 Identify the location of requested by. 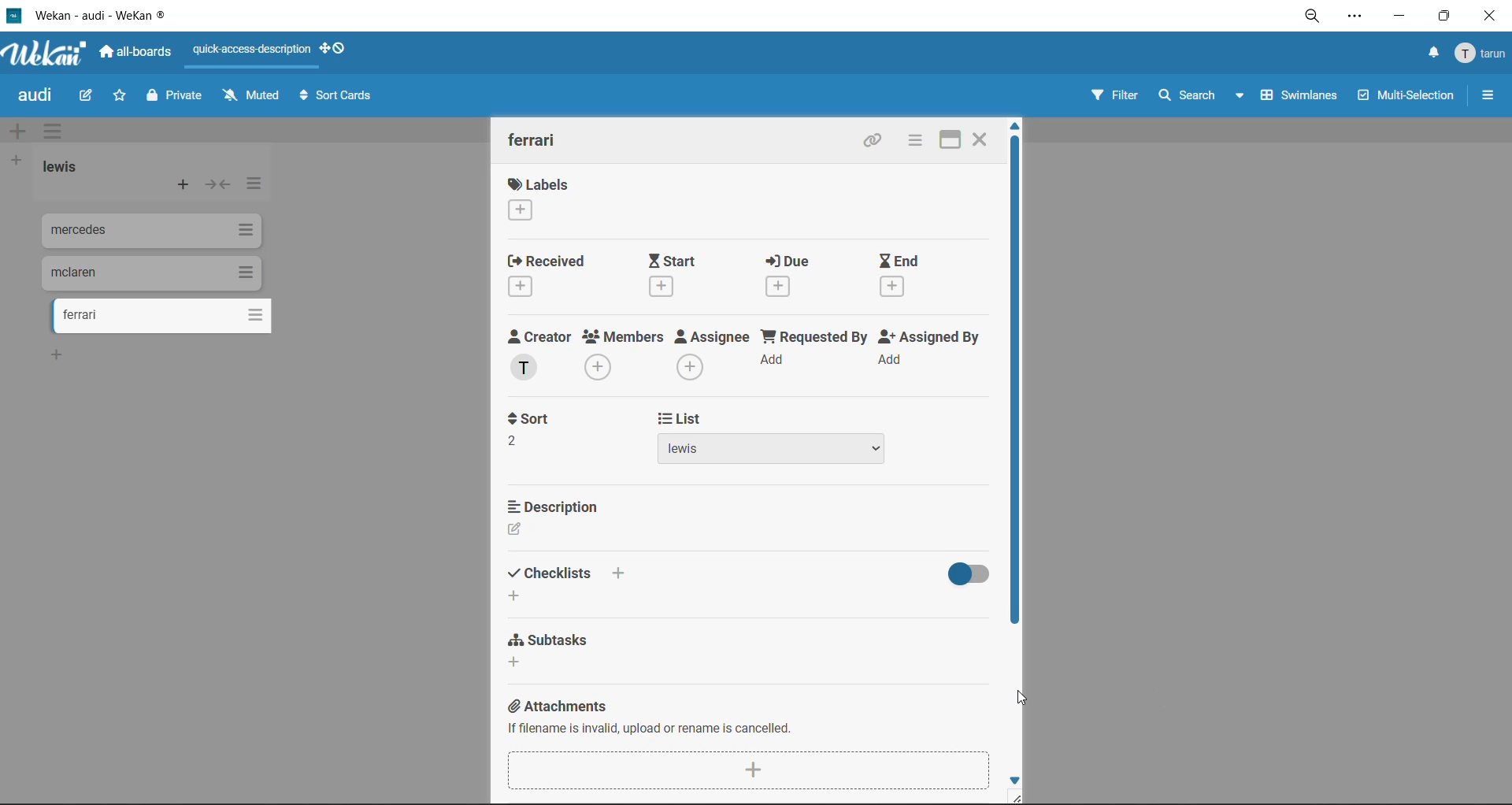
(813, 353).